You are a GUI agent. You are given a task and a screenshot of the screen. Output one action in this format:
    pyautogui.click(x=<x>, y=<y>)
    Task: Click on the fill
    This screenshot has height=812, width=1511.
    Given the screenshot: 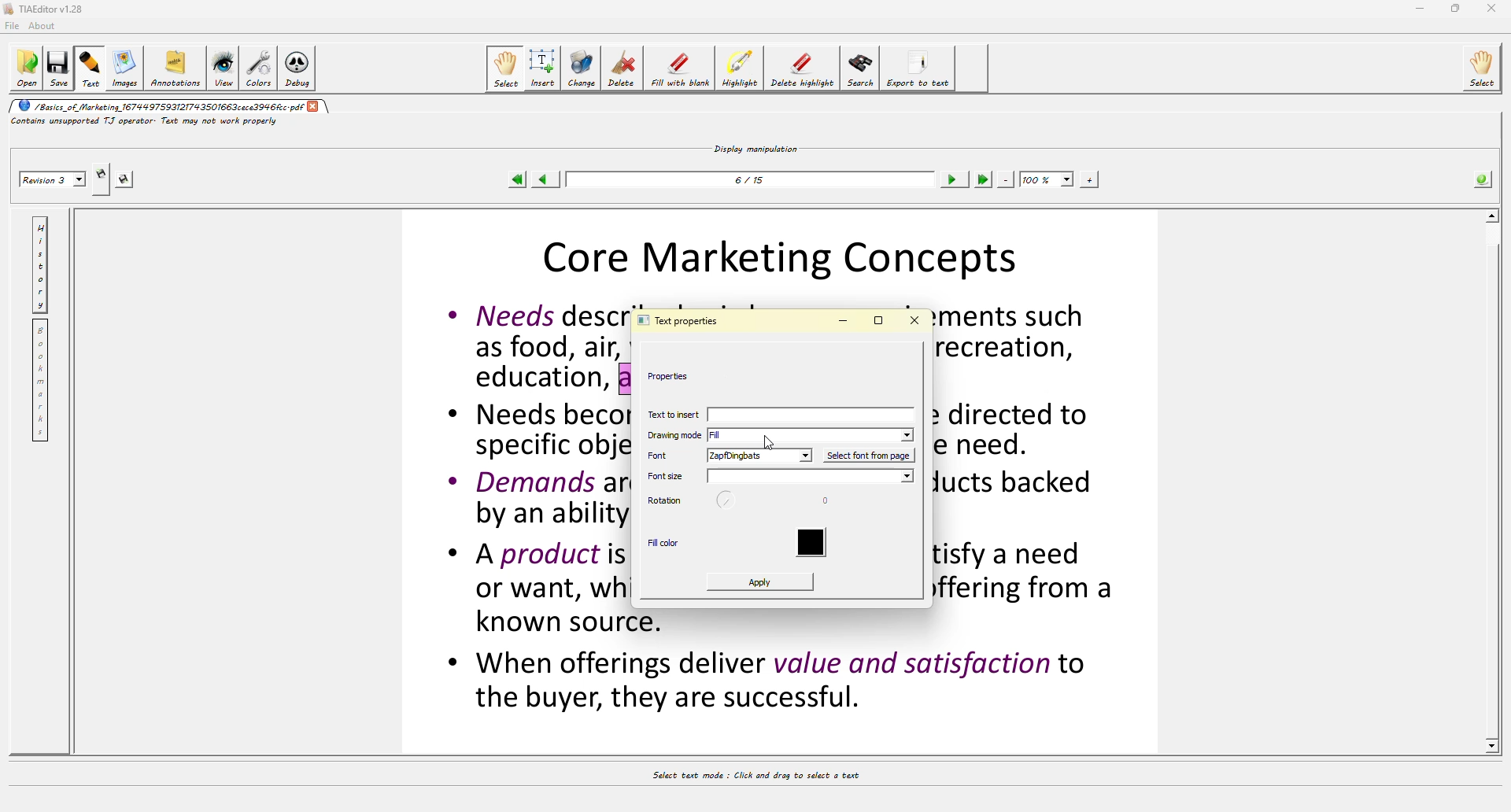 What is the action you would take?
    pyautogui.click(x=725, y=436)
    